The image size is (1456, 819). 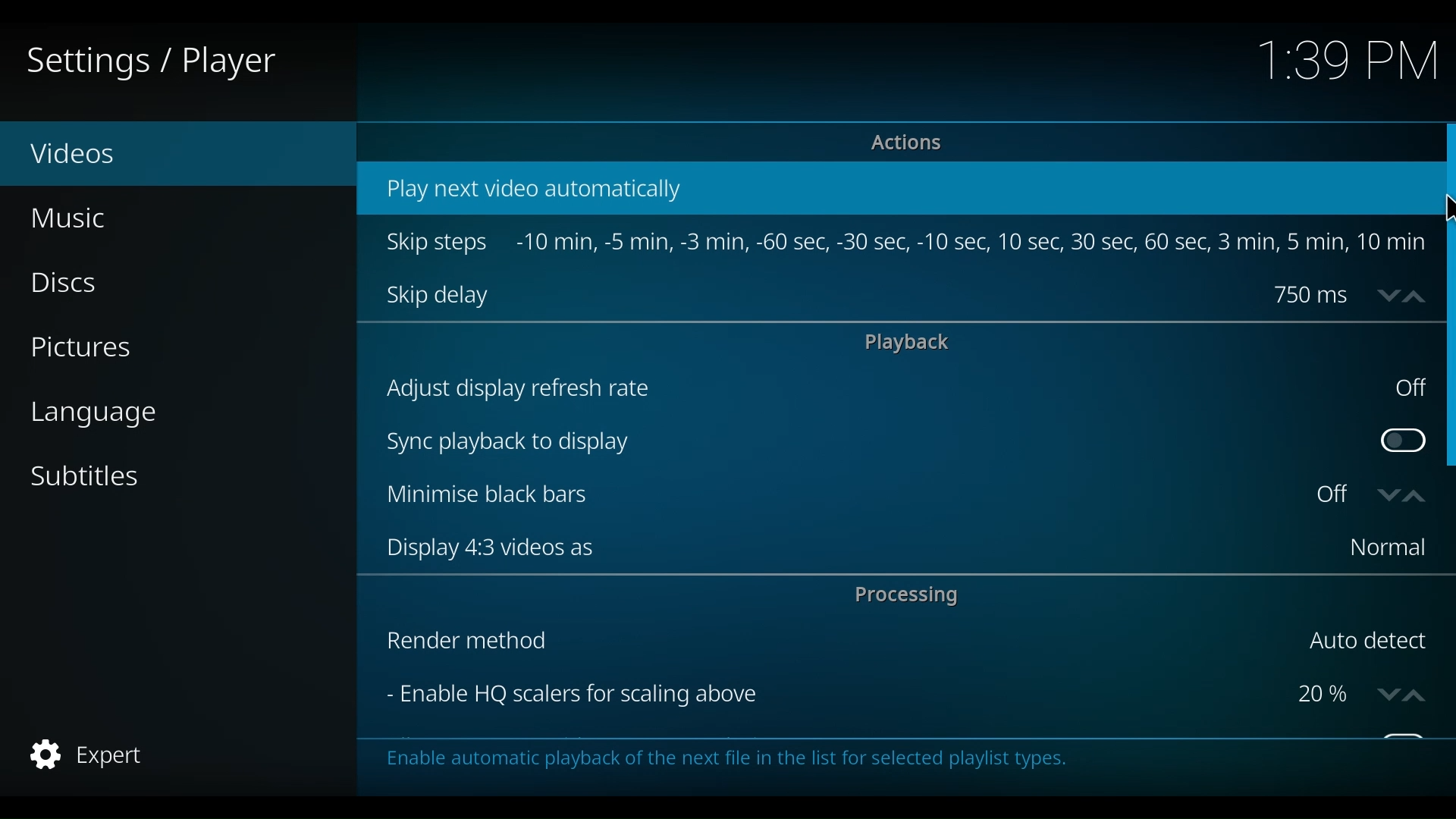 I want to click on down, so click(x=1386, y=494).